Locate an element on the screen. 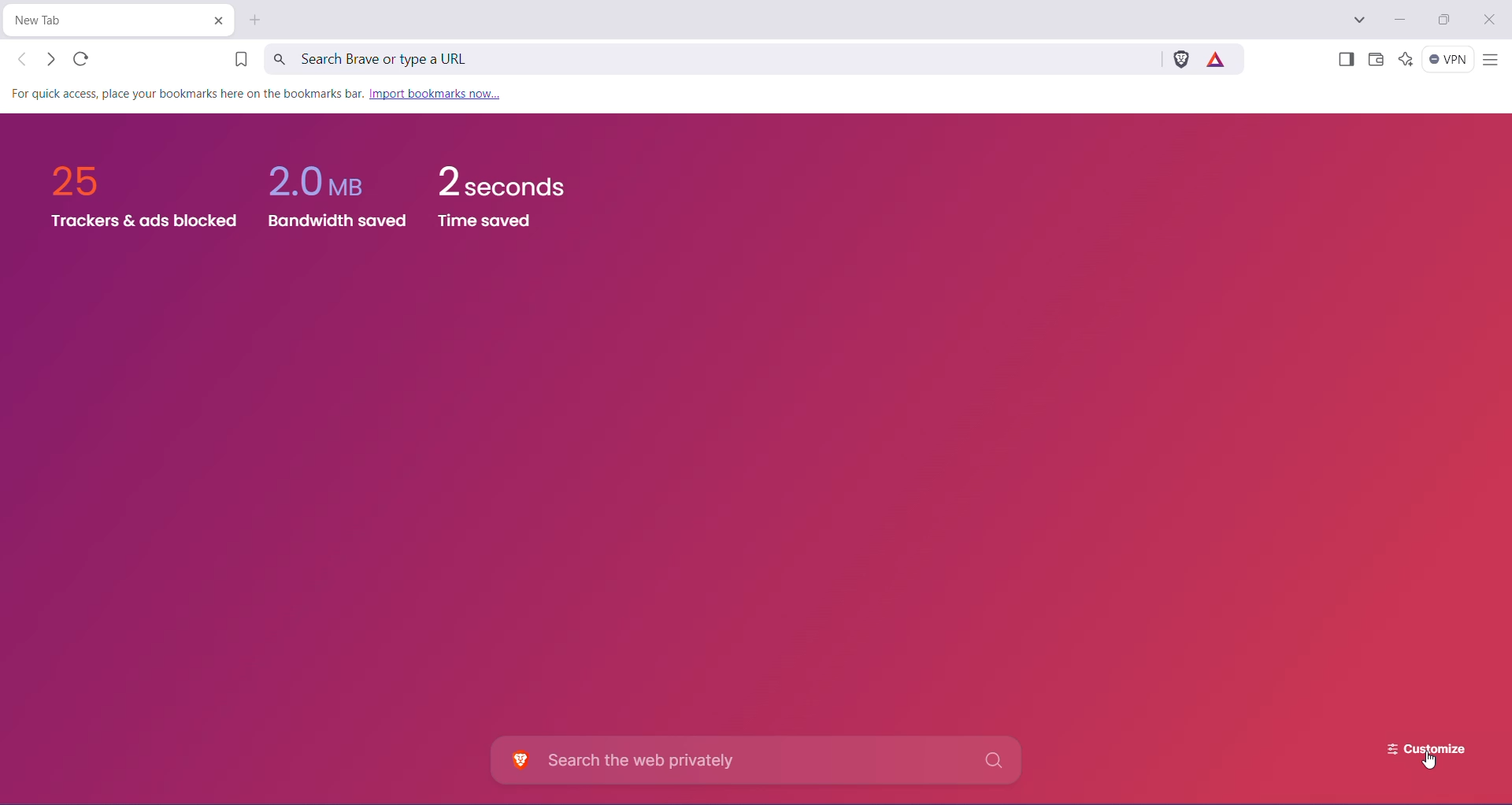  Search Brave or Type a URL is located at coordinates (710, 58).